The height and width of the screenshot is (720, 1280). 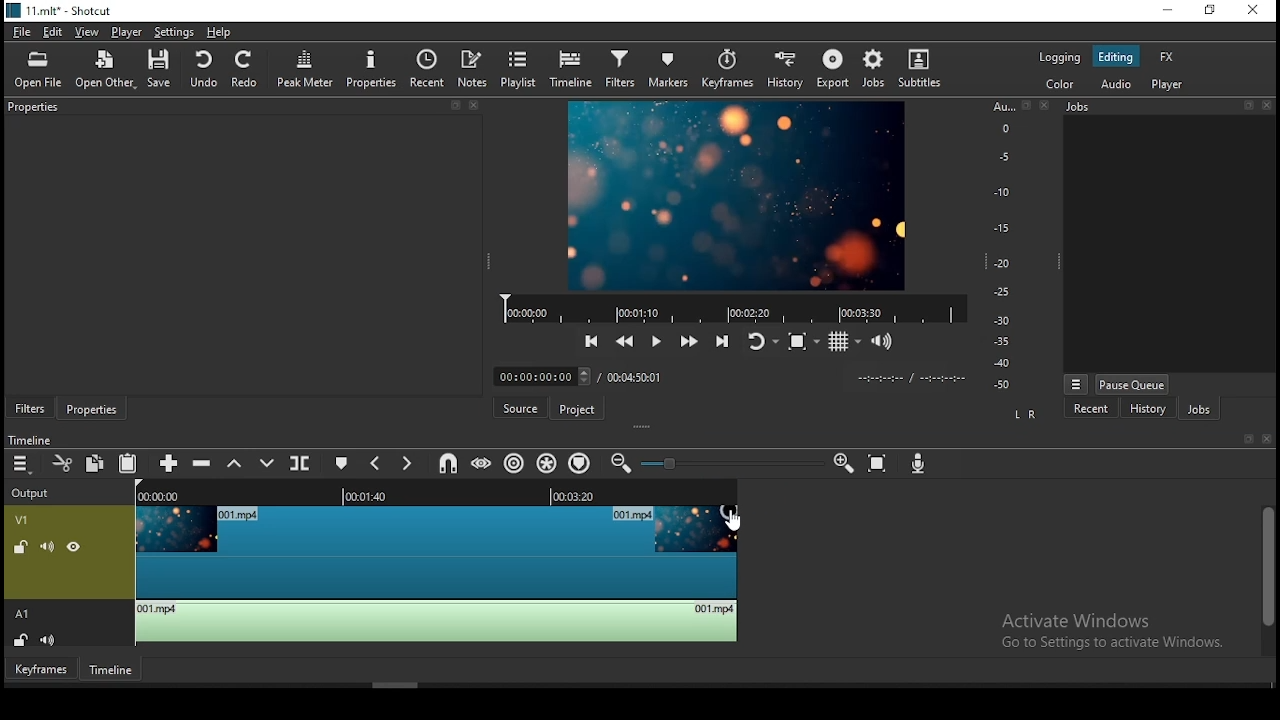 I want to click on timeline, so click(x=111, y=672).